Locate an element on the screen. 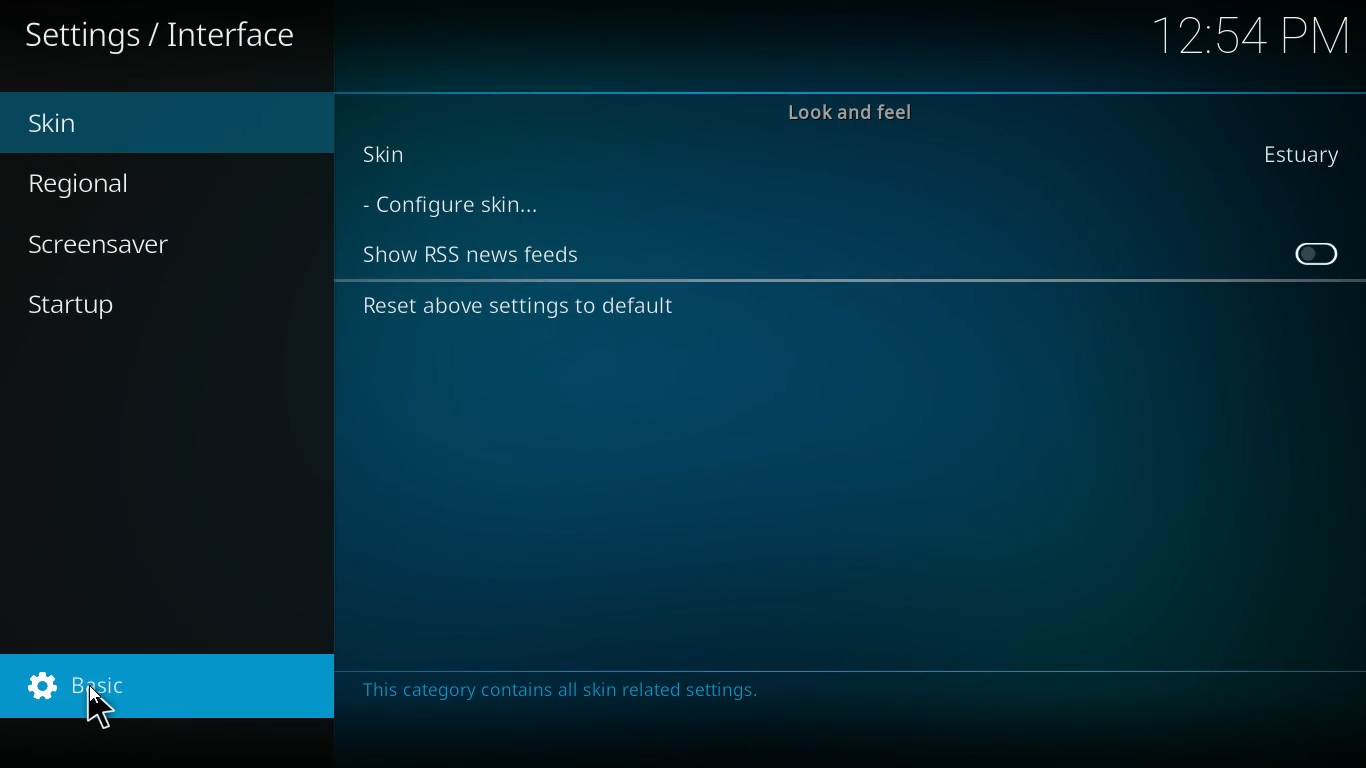  off is located at coordinates (1314, 253).